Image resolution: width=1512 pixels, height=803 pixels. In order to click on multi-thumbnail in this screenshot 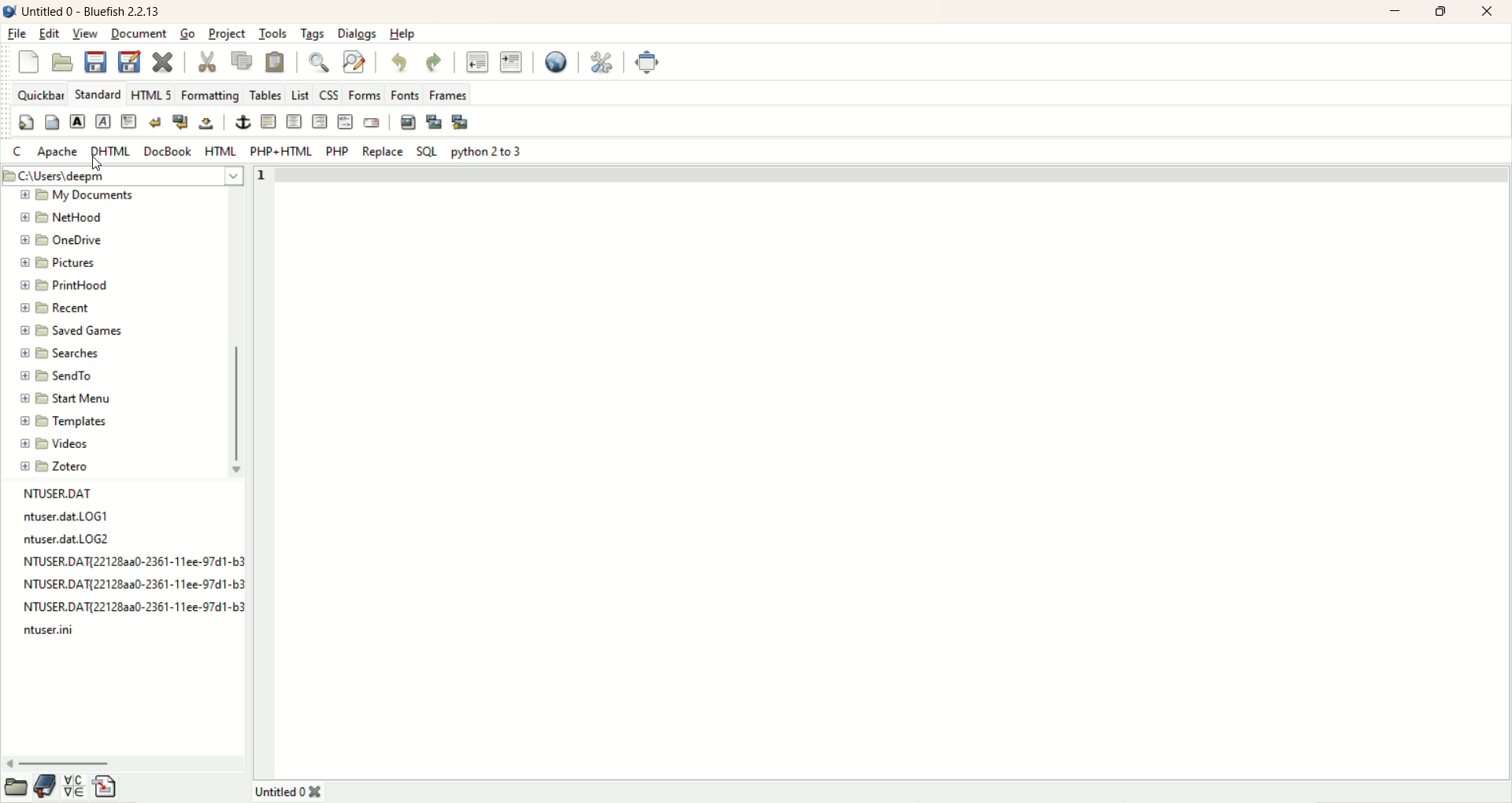, I will do `click(465, 122)`.